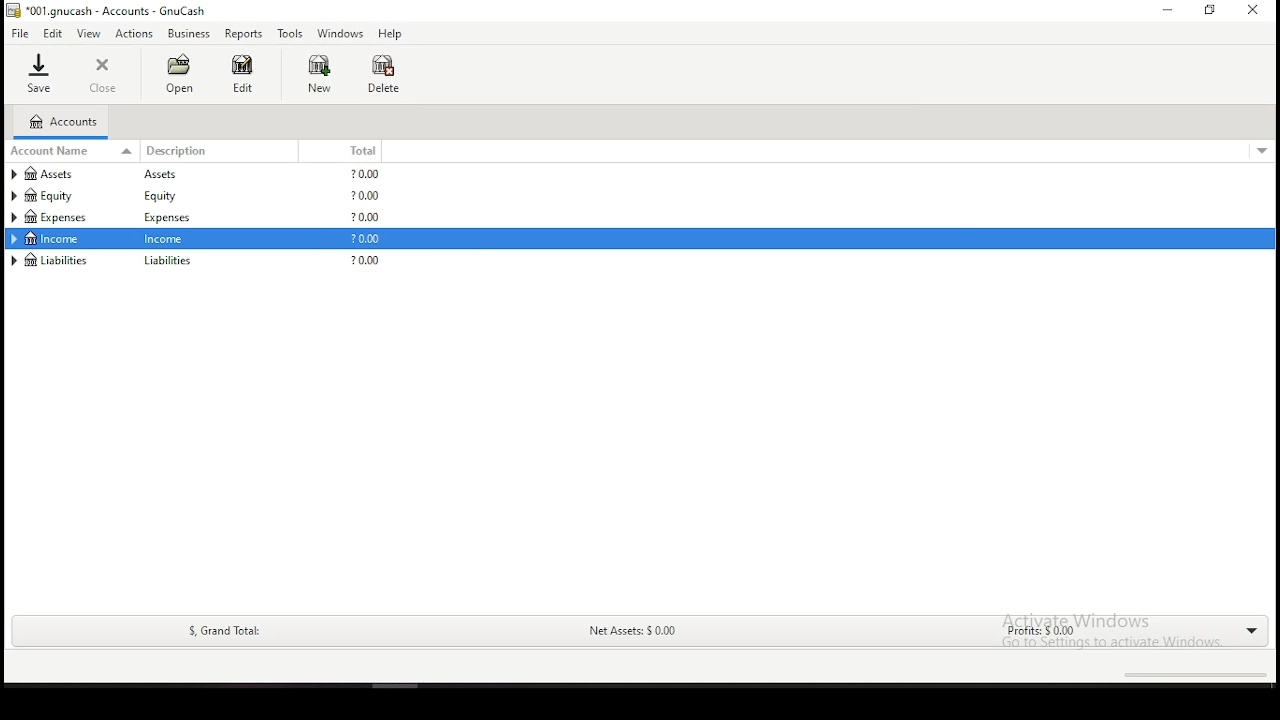  I want to click on new, so click(319, 73).